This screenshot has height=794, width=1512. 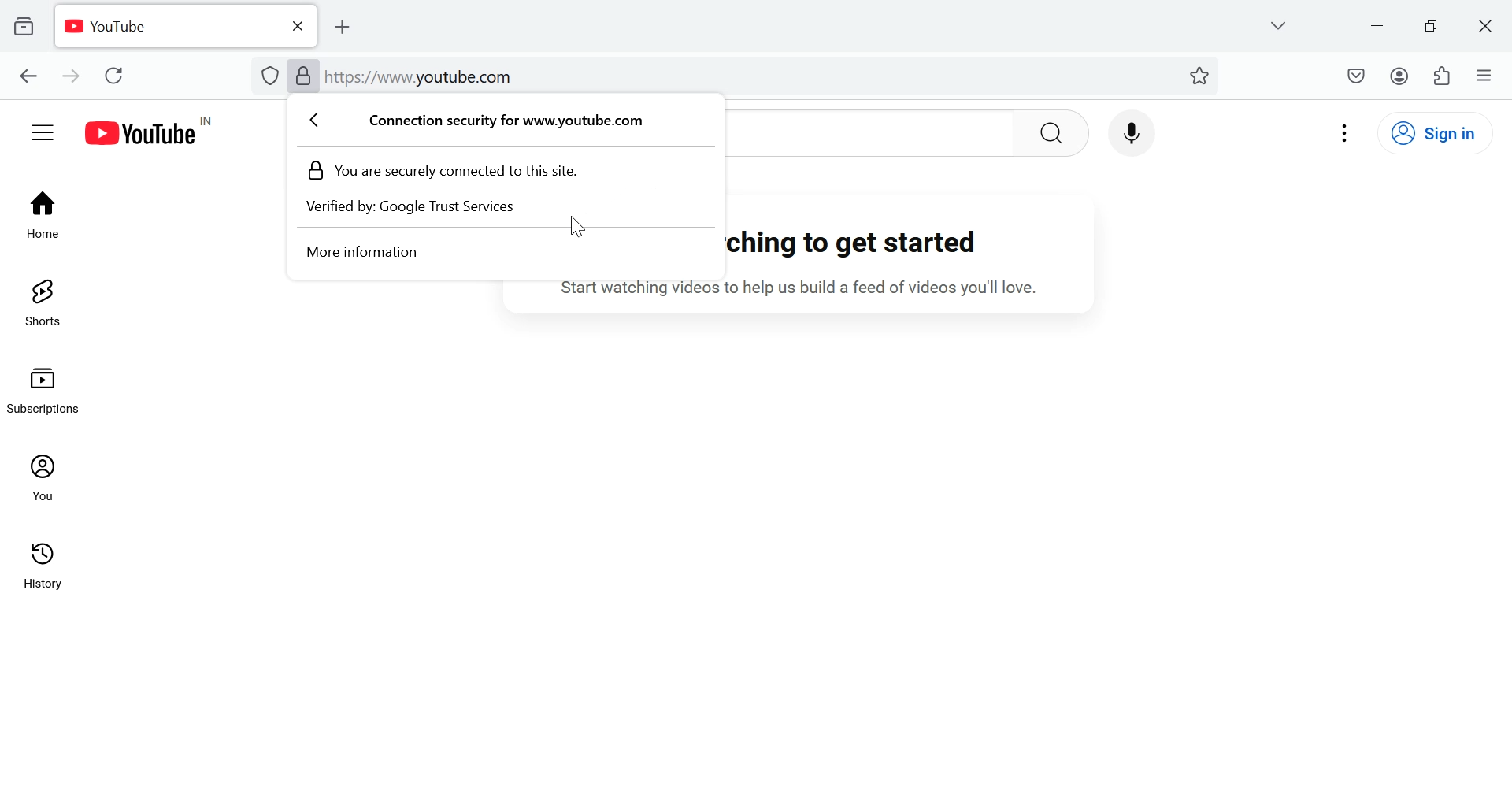 I want to click on No trackers known to Firefox were detected on this page, so click(x=271, y=76).